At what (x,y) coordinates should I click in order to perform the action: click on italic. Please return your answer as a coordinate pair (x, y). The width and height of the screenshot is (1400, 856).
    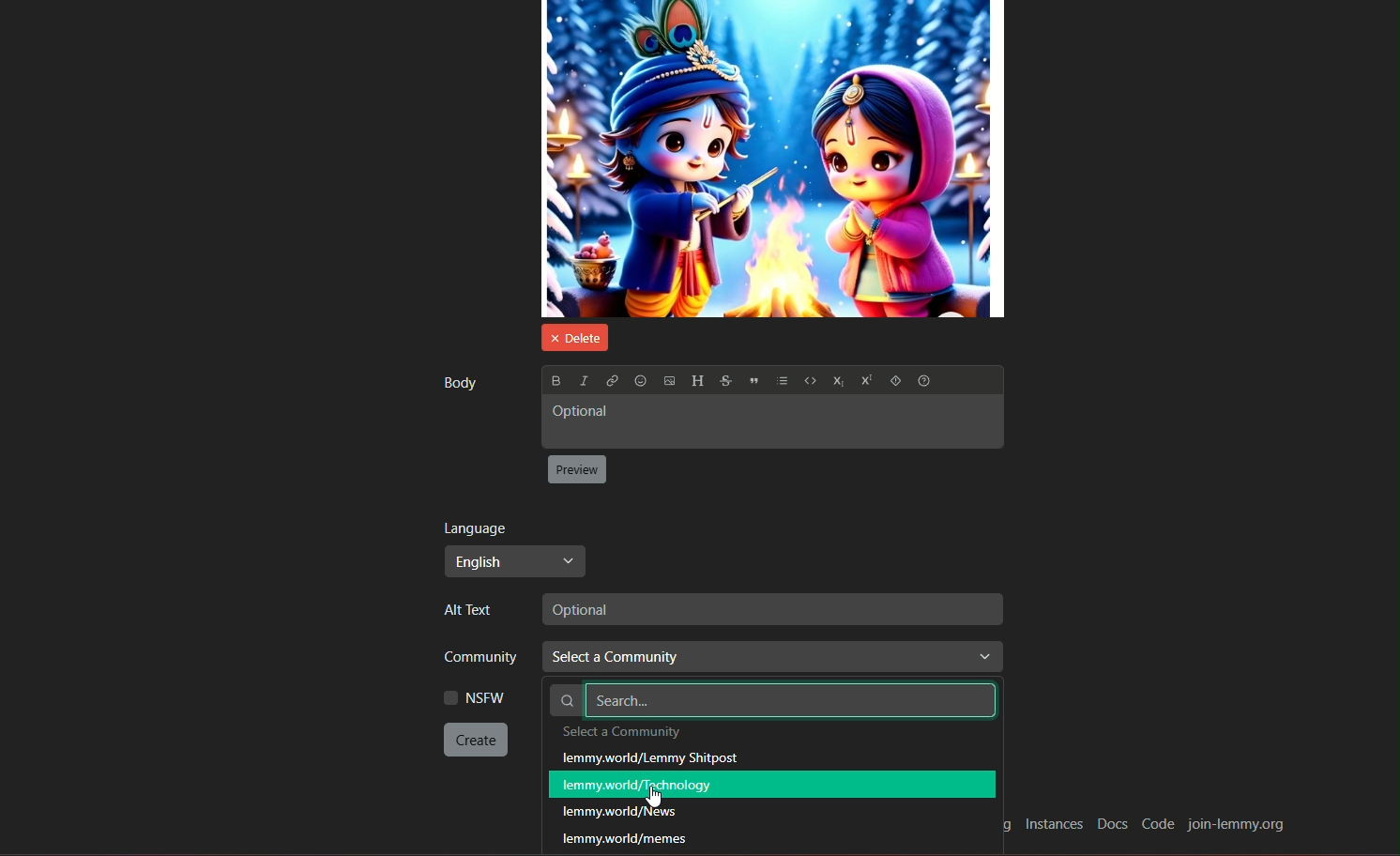
    Looking at the image, I should click on (582, 379).